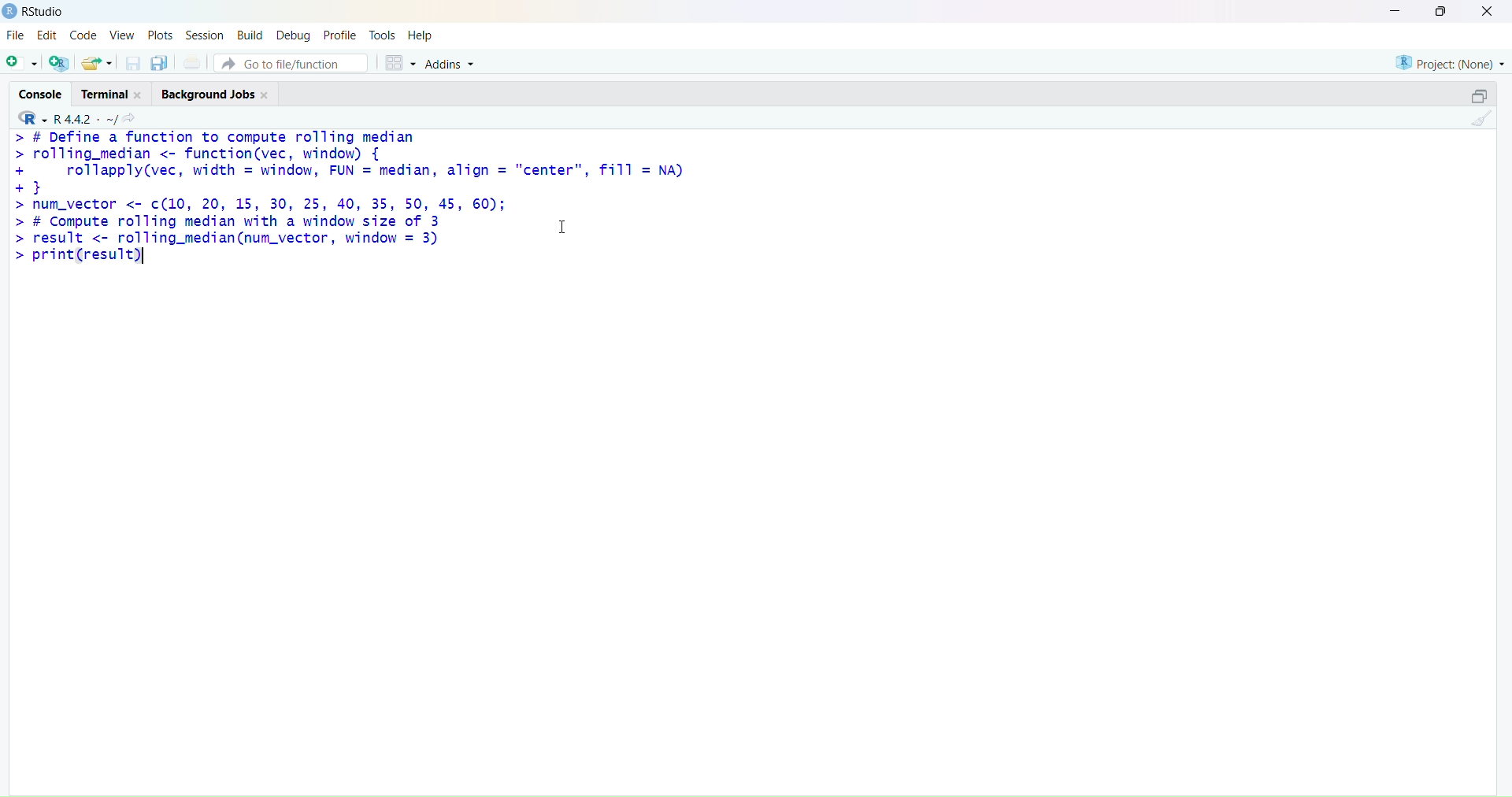 The height and width of the screenshot is (797, 1512). I want to click on grid, so click(402, 63).